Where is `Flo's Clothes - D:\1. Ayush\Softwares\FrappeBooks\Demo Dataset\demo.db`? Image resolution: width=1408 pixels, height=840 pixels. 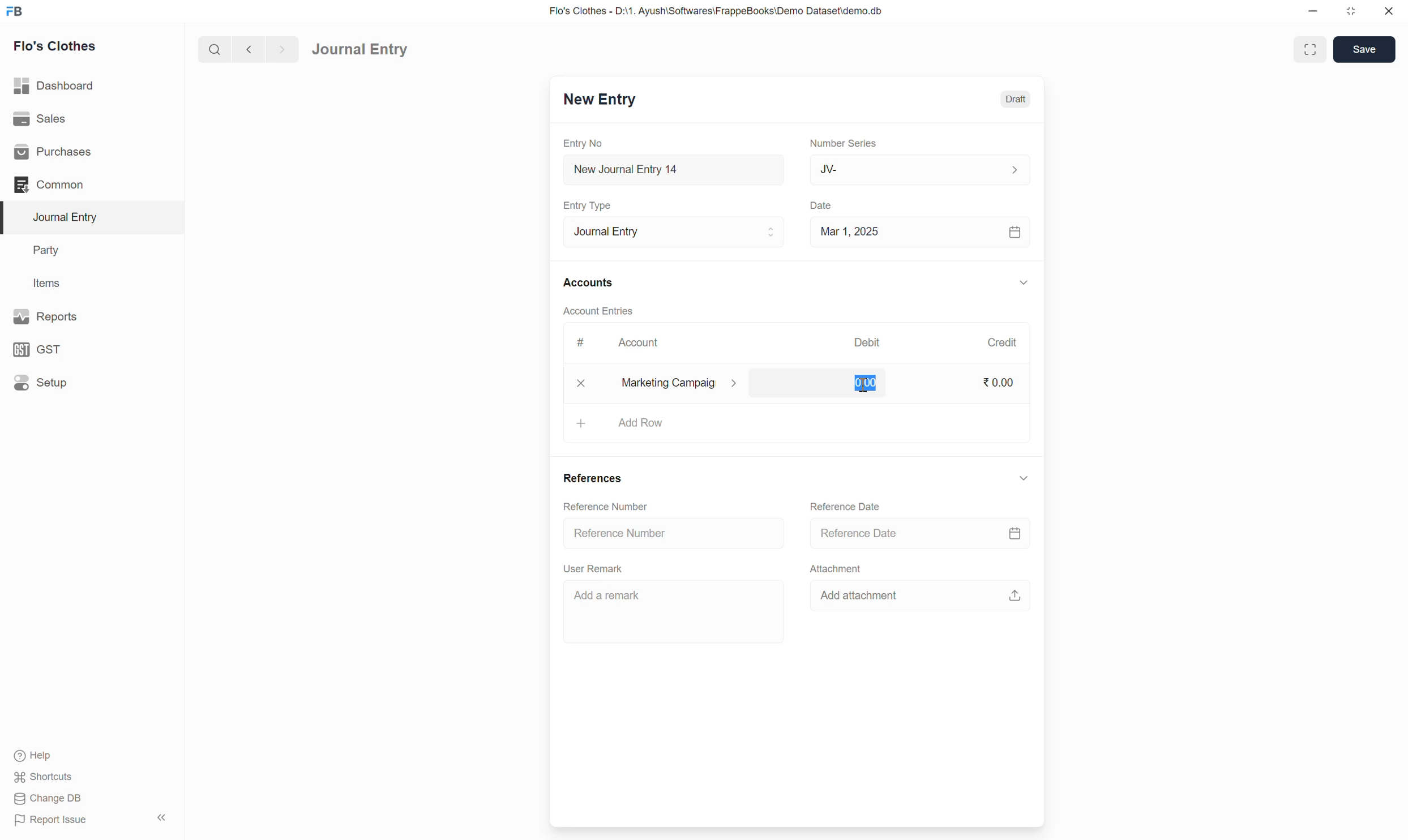
Flo's Clothes - D:\1. Ayush\Softwares\FrappeBooks\Demo Dataset\demo.db is located at coordinates (719, 10).